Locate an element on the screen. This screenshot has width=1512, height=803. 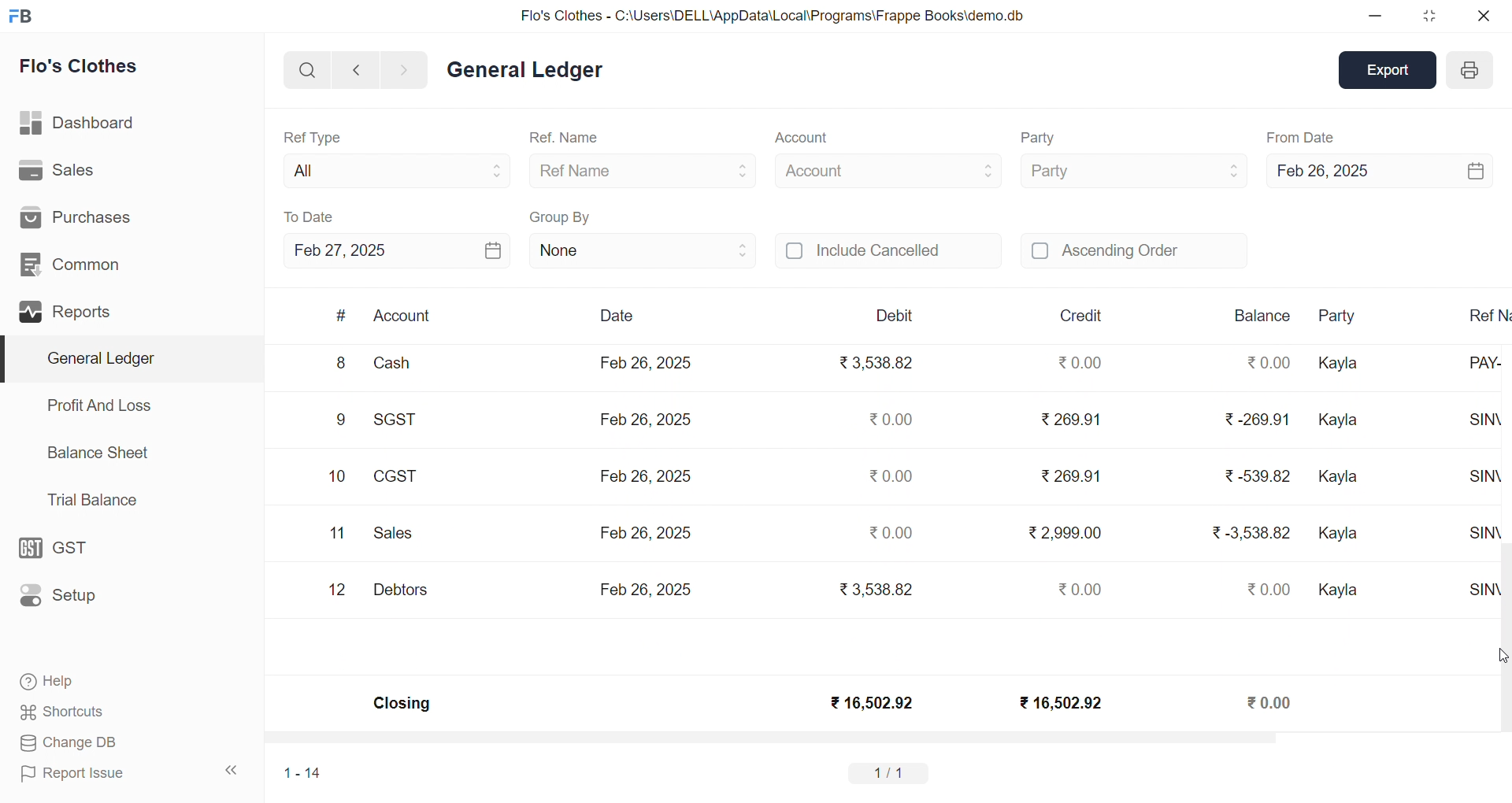
SINV- is located at coordinates (1485, 593).